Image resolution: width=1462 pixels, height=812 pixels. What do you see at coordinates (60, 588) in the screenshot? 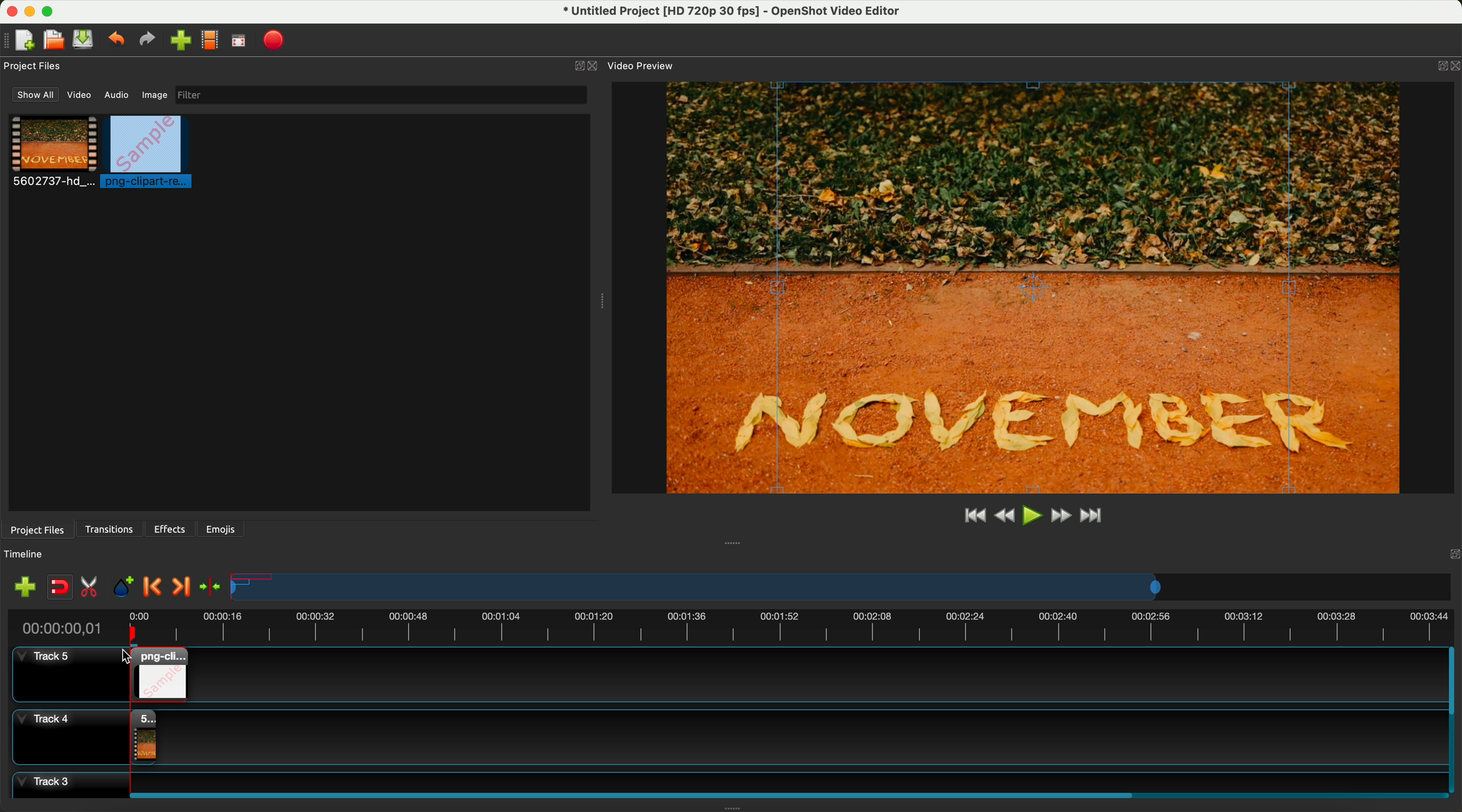
I see `disable snapping` at bounding box center [60, 588].